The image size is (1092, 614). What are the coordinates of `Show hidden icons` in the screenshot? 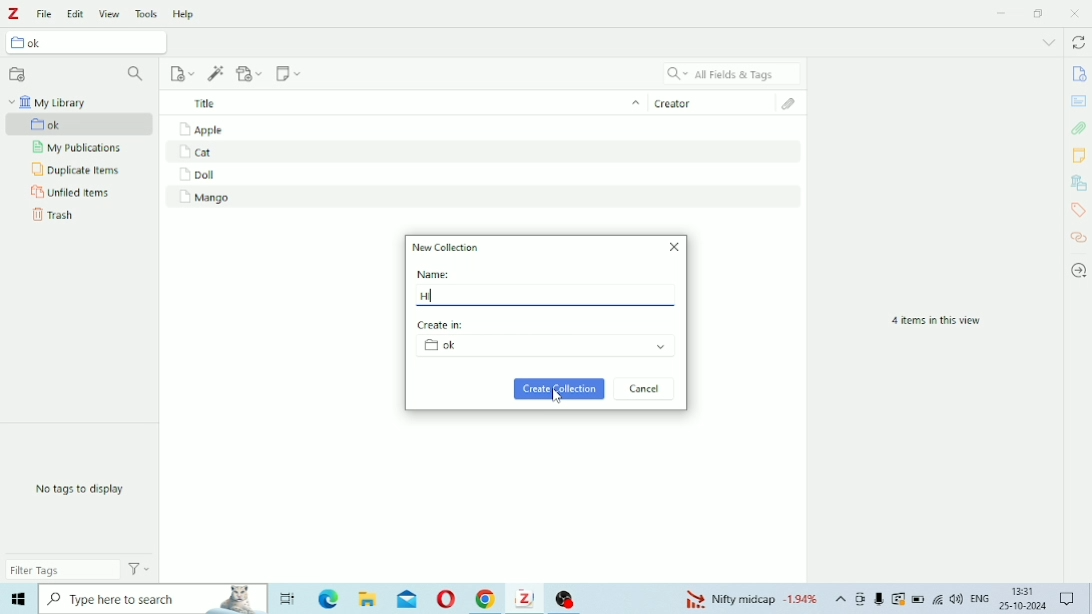 It's located at (841, 599).